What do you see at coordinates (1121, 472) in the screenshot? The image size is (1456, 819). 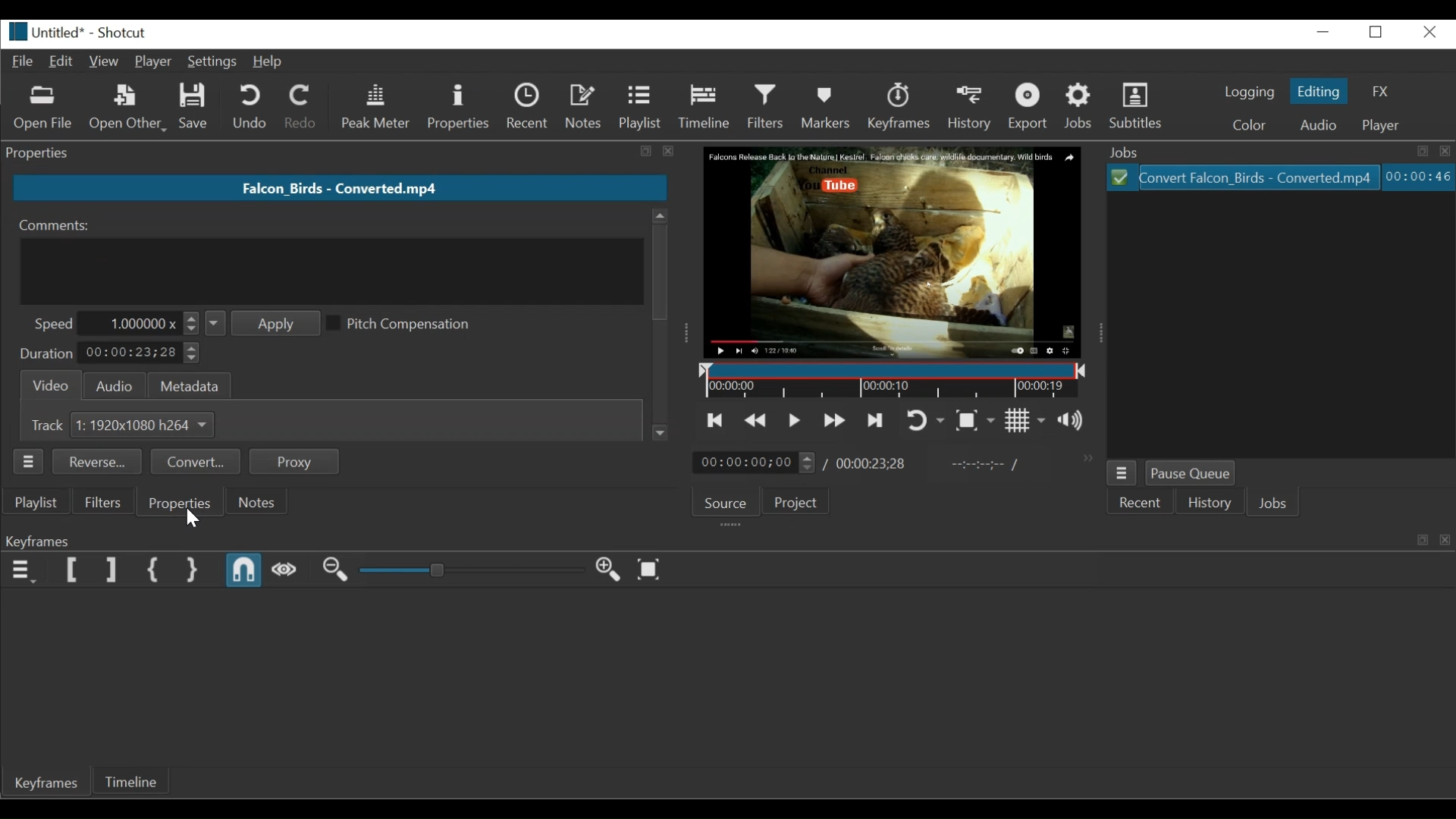 I see `Job menu` at bounding box center [1121, 472].